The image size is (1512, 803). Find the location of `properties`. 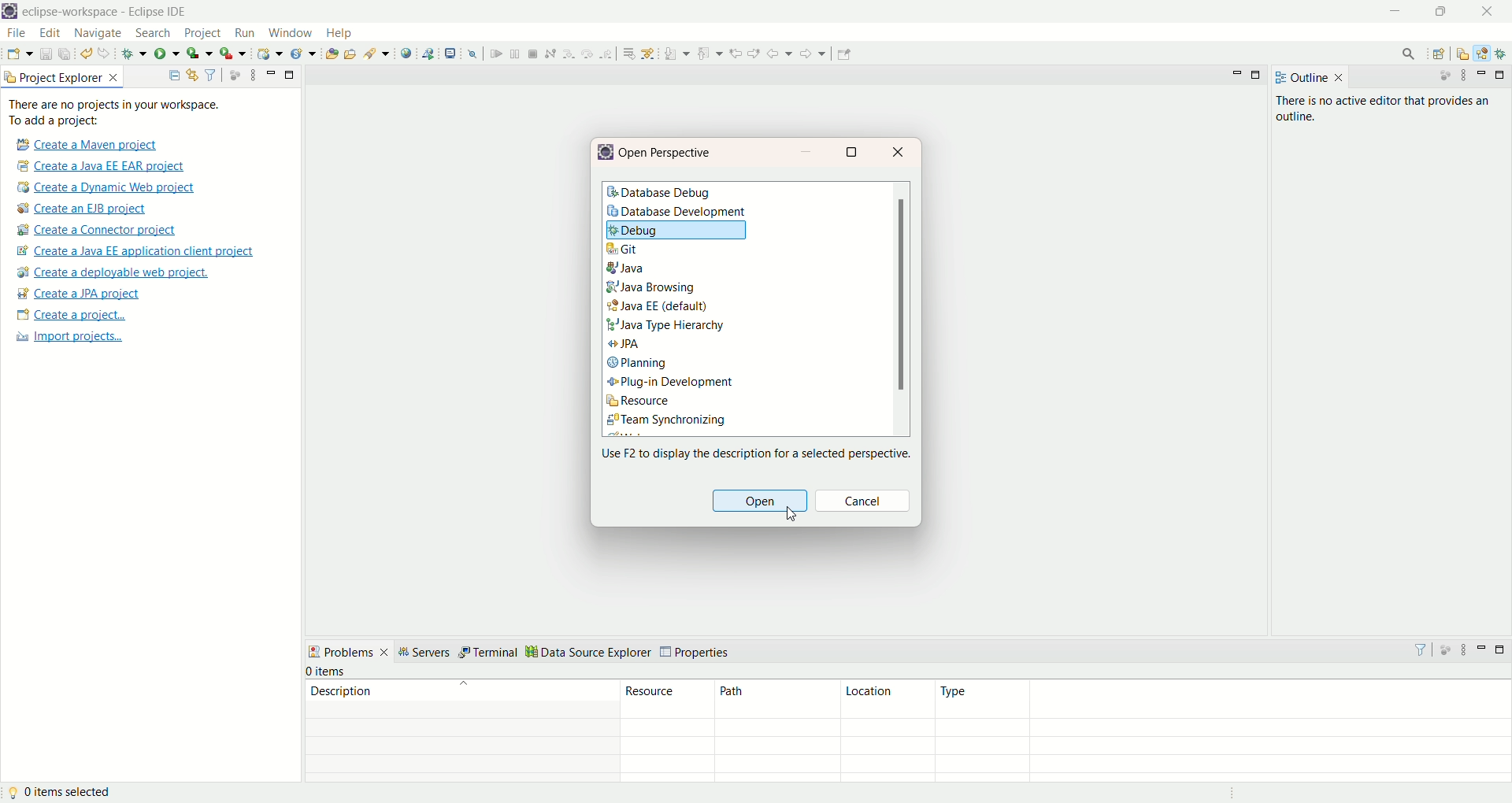

properties is located at coordinates (696, 651).